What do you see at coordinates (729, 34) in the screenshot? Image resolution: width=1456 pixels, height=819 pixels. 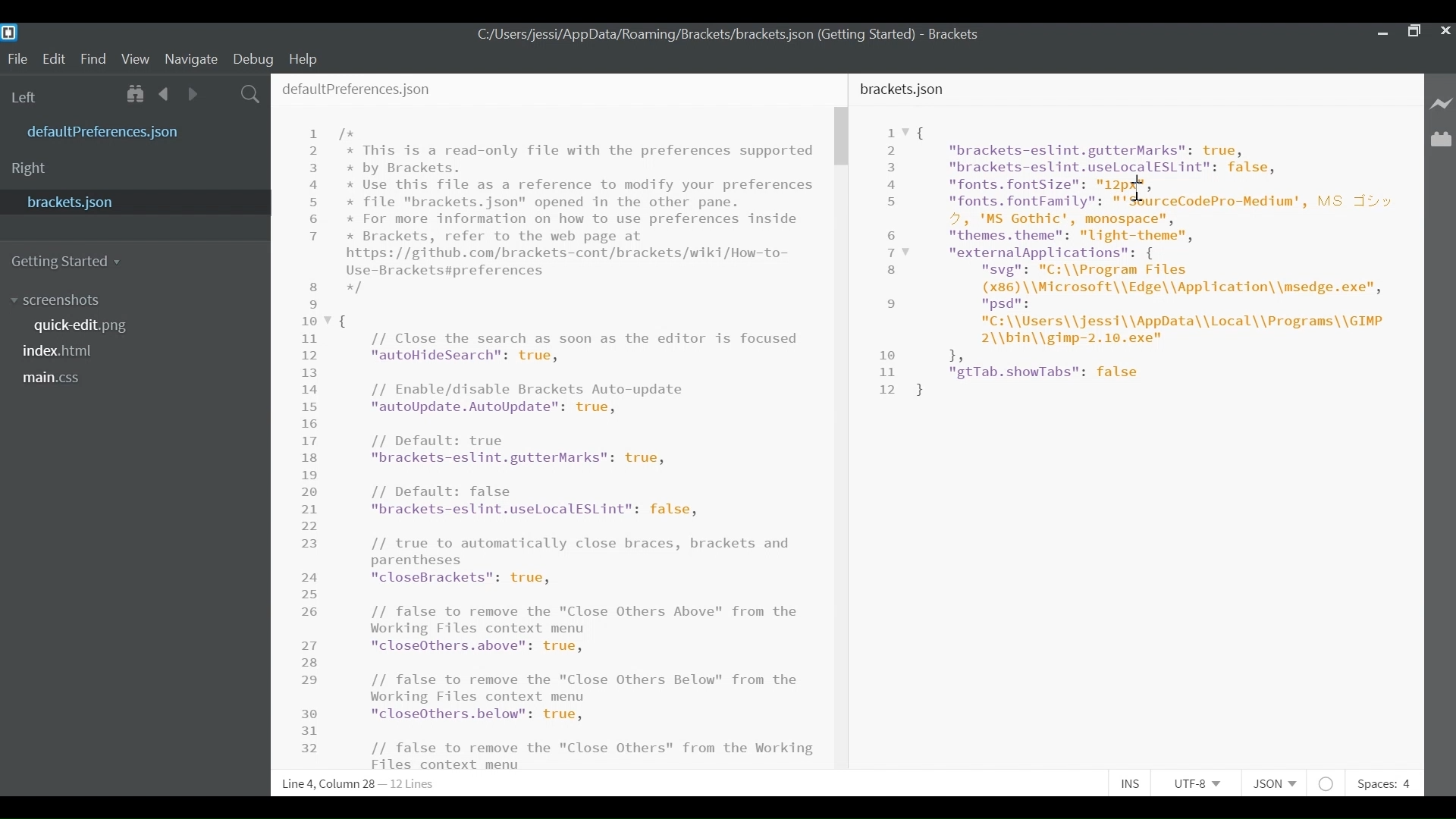 I see `C:/Users/jessi/AppData/Roaming/Brackets/brackets json (Getting Started) - Brackets` at bounding box center [729, 34].